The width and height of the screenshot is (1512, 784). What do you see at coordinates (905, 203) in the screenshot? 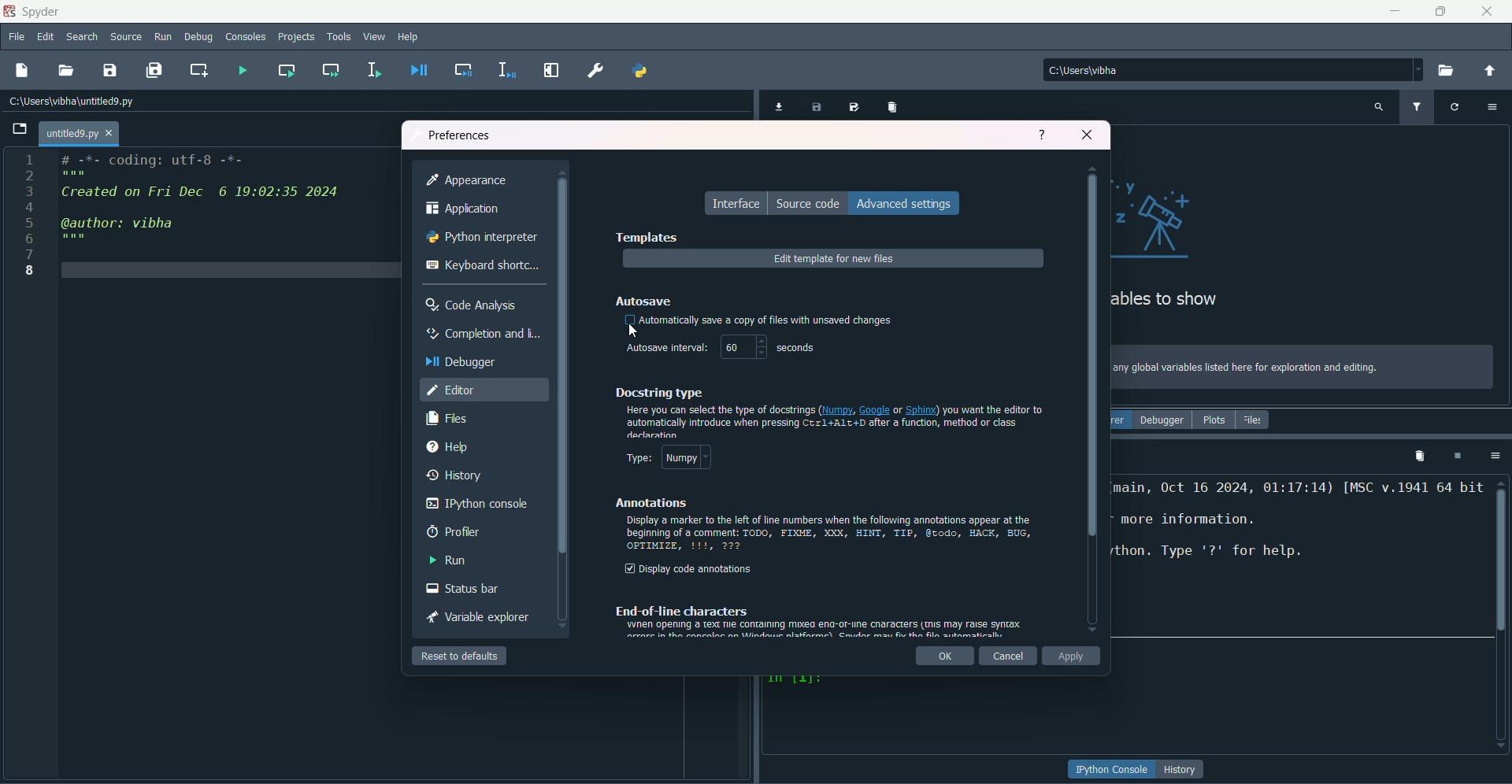
I see `advanced settings` at bounding box center [905, 203].